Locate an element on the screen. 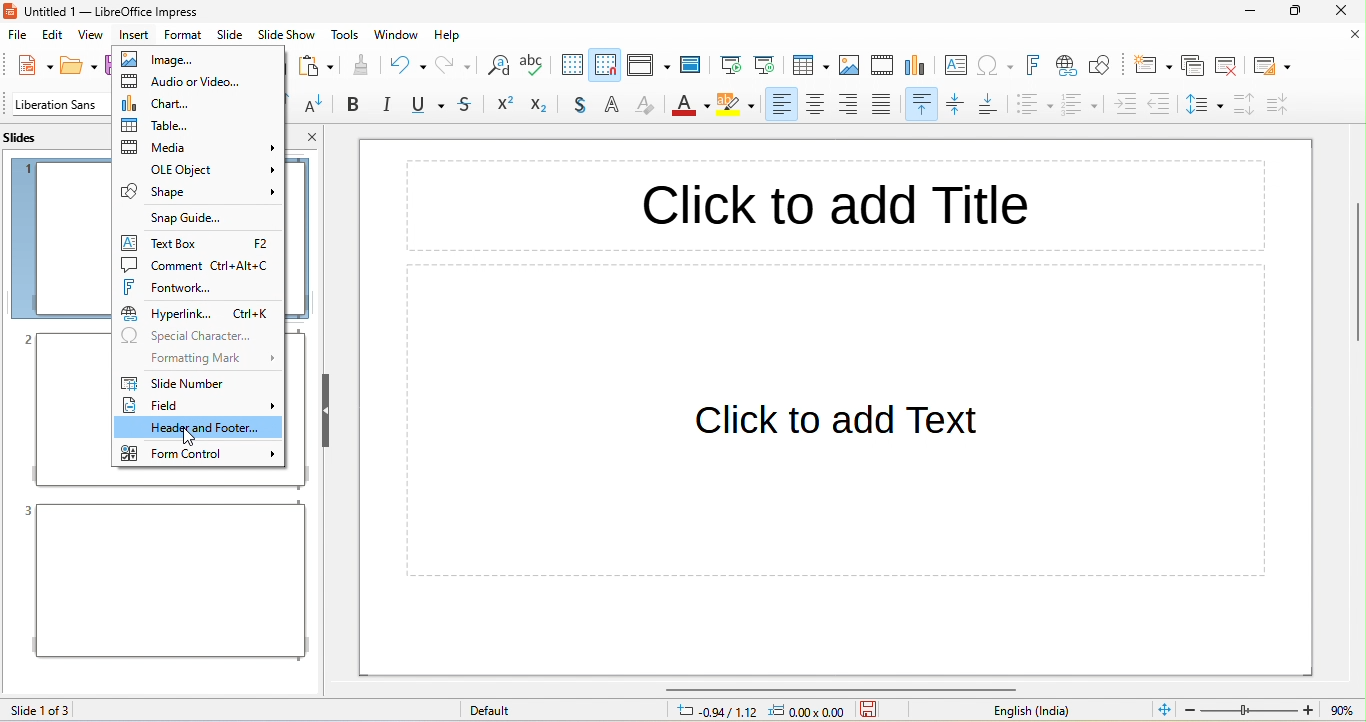 The width and height of the screenshot is (1366, 722). close is located at coordinates (1354, 35).